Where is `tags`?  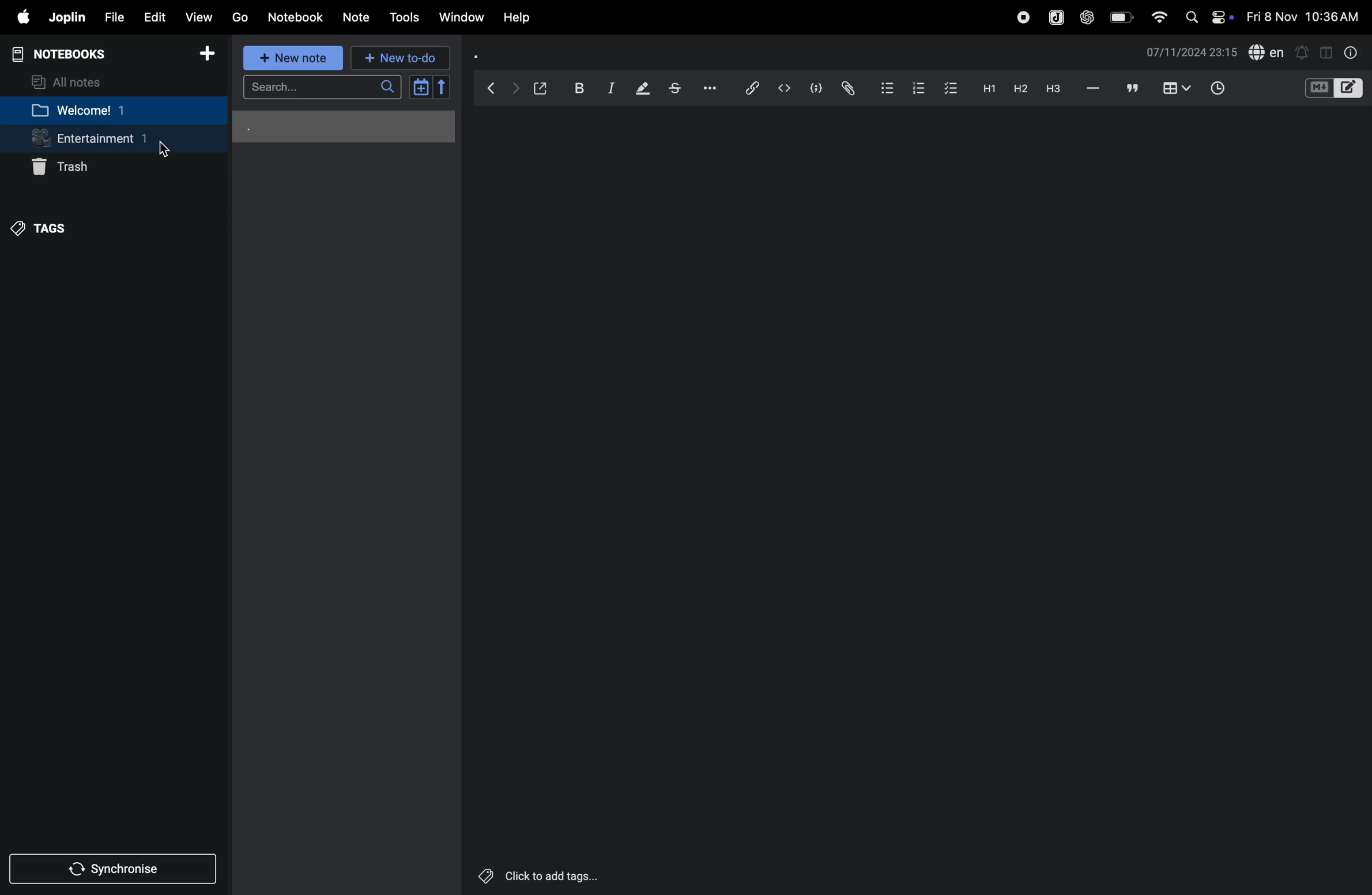
tags is located at coordinates (59, 229).